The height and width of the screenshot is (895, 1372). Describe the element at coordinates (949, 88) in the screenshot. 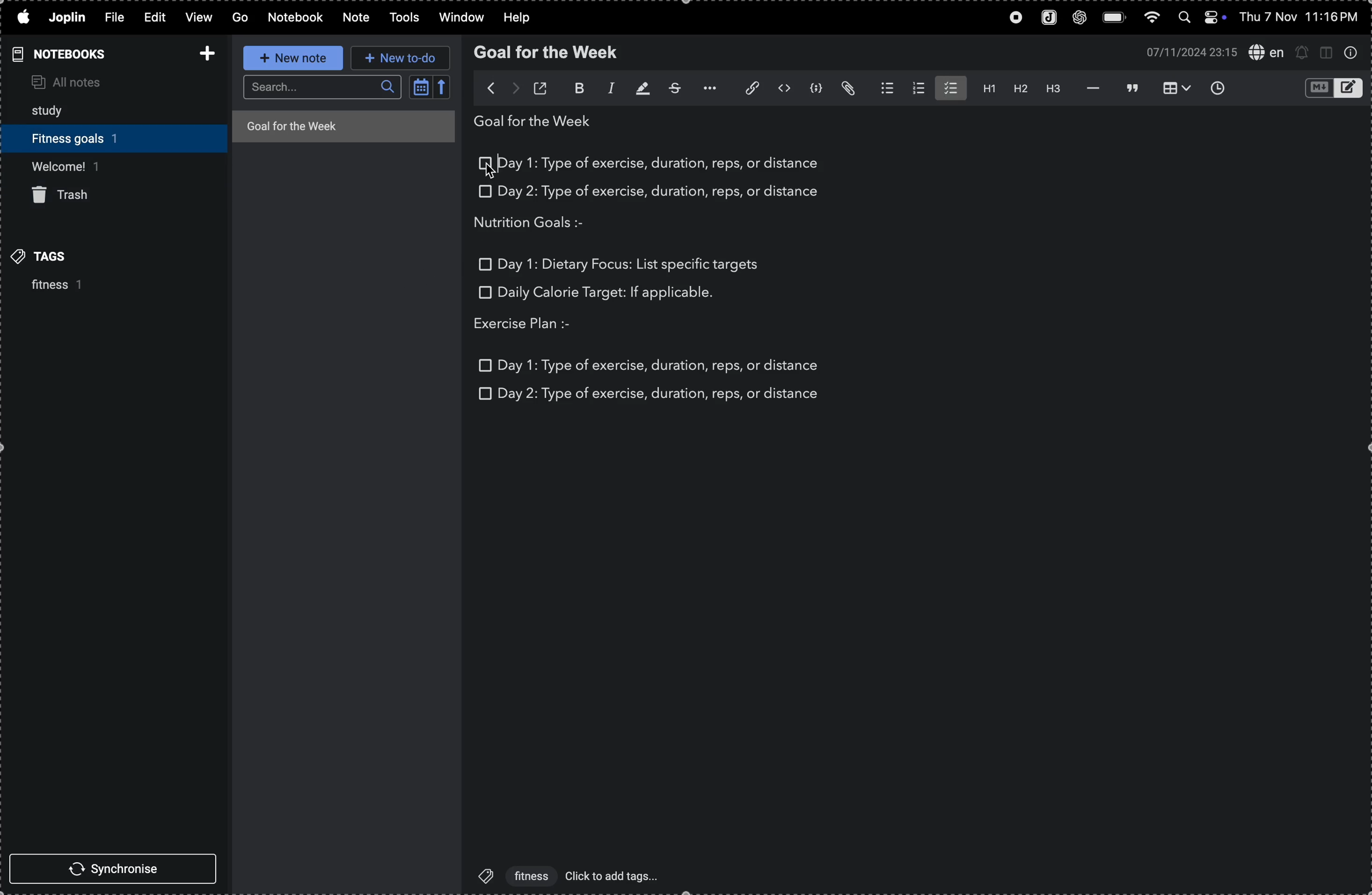

I see `check list` at that location.